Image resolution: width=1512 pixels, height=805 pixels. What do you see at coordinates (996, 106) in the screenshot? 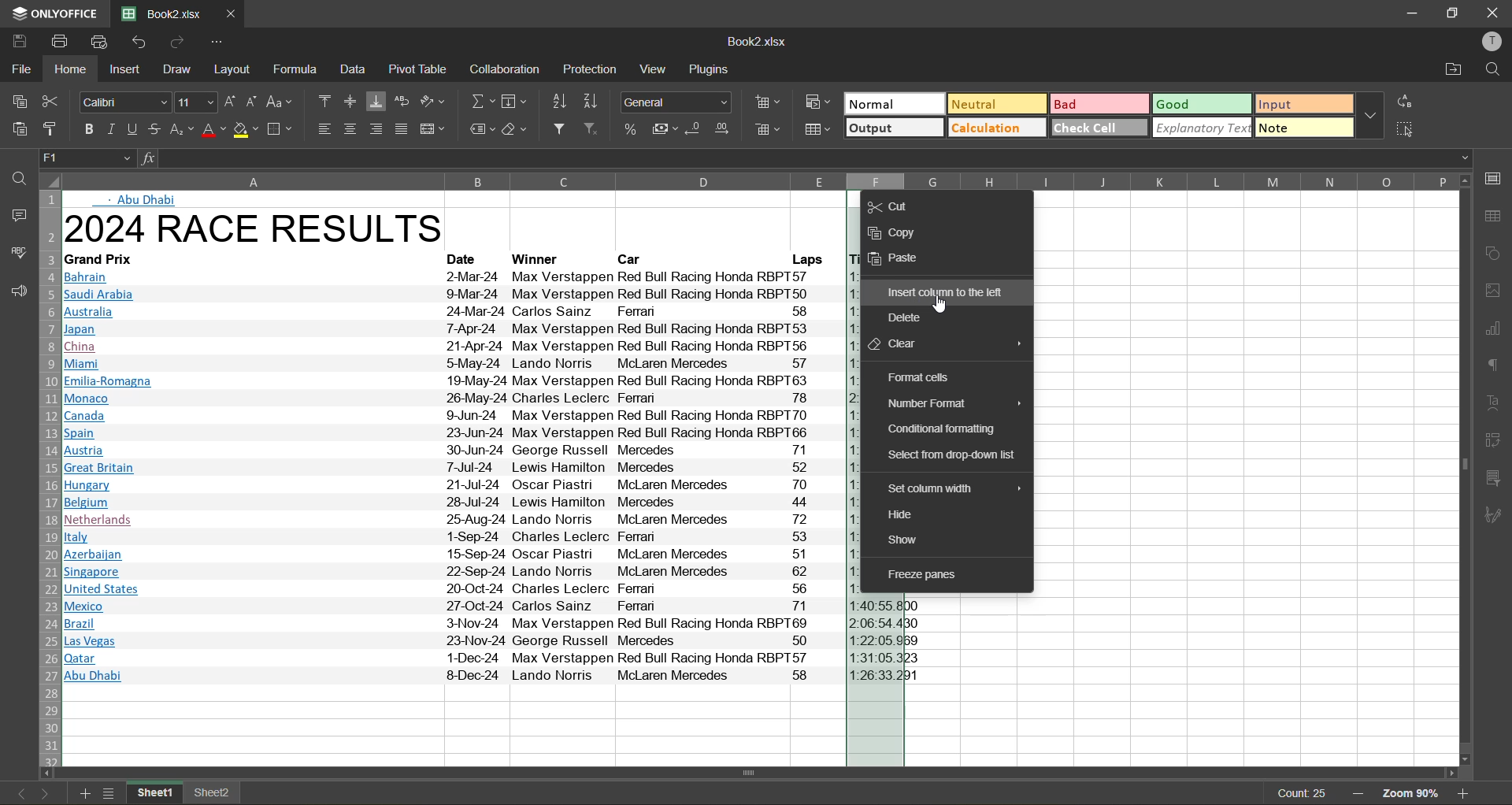
I see `neutral` at bounding box center [996, 106].